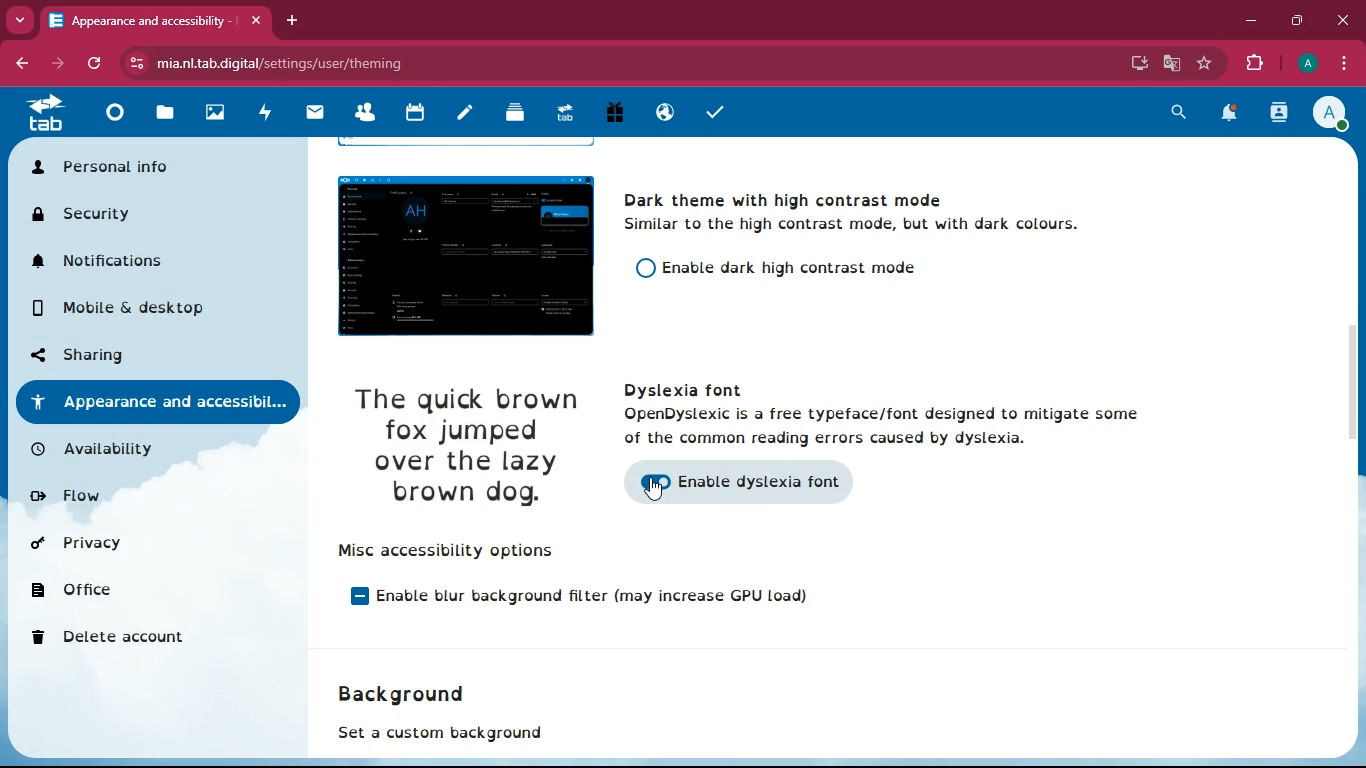 This screenshot has height=768, width=1366. Describe the element at coordinates (98, 63) in the screenshot. I see `refresh` at that location.